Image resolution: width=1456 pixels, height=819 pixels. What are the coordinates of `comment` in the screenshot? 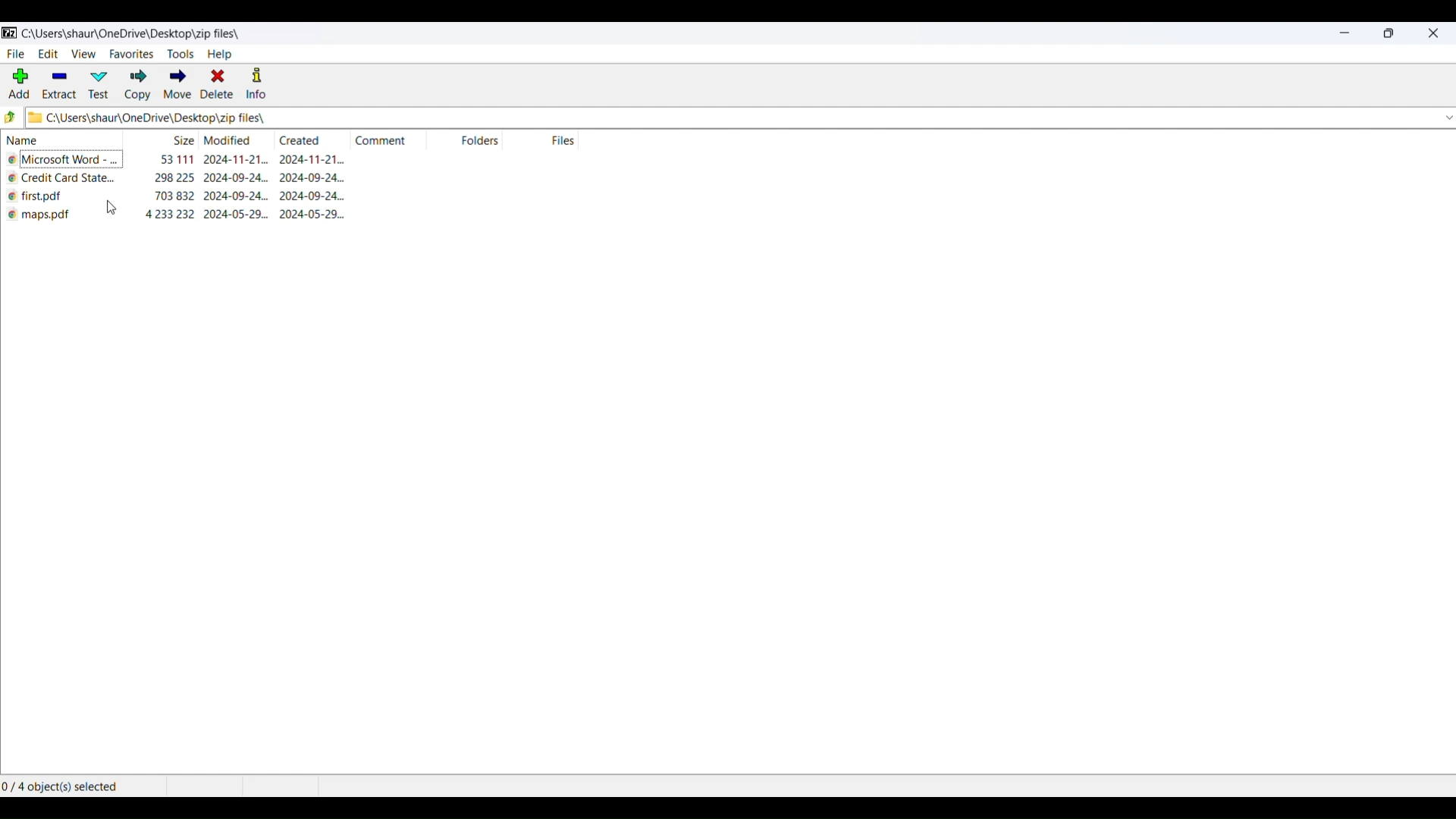 It's located at (381, 140).